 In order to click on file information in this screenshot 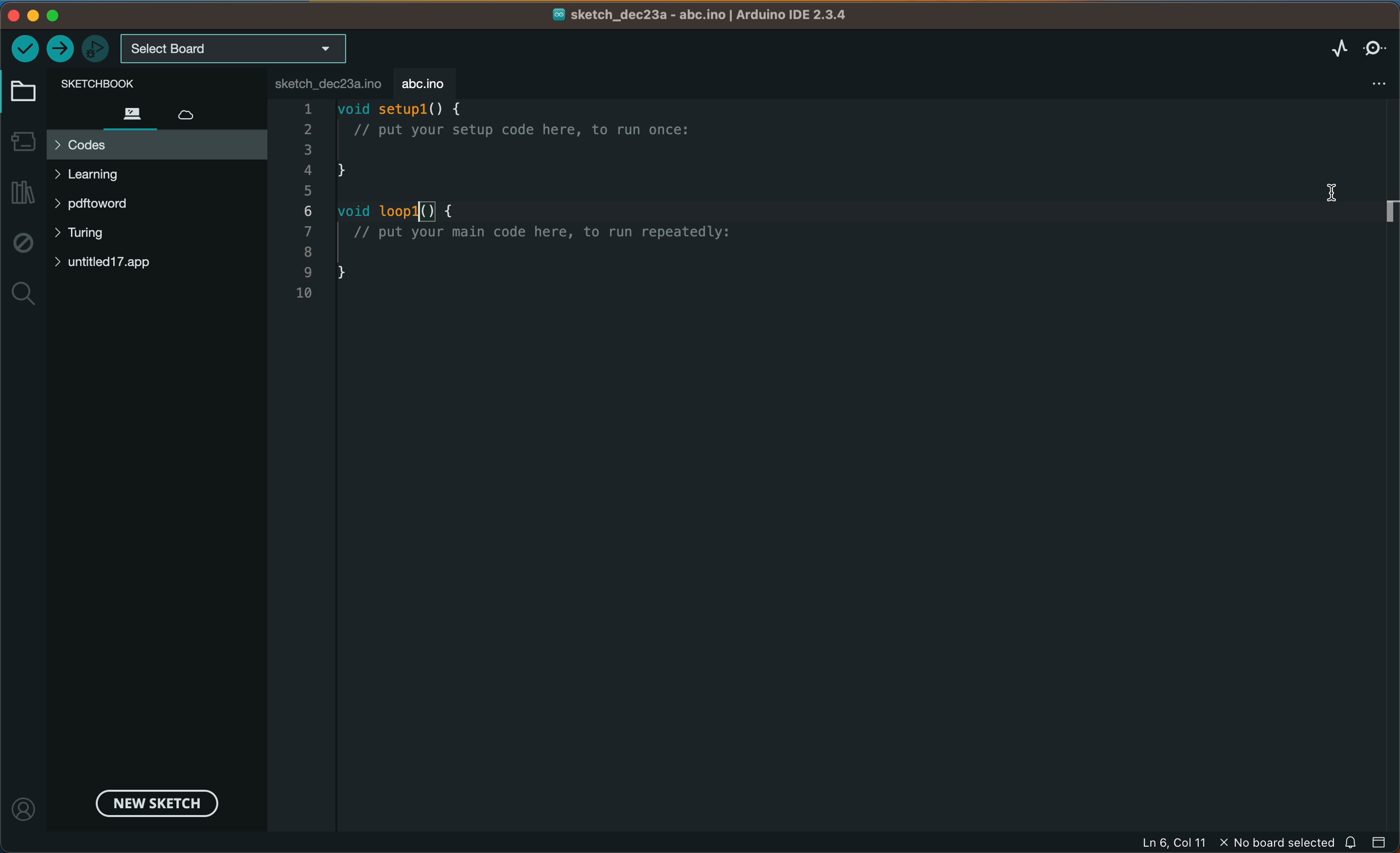, I will do `click(1233, 841)`.